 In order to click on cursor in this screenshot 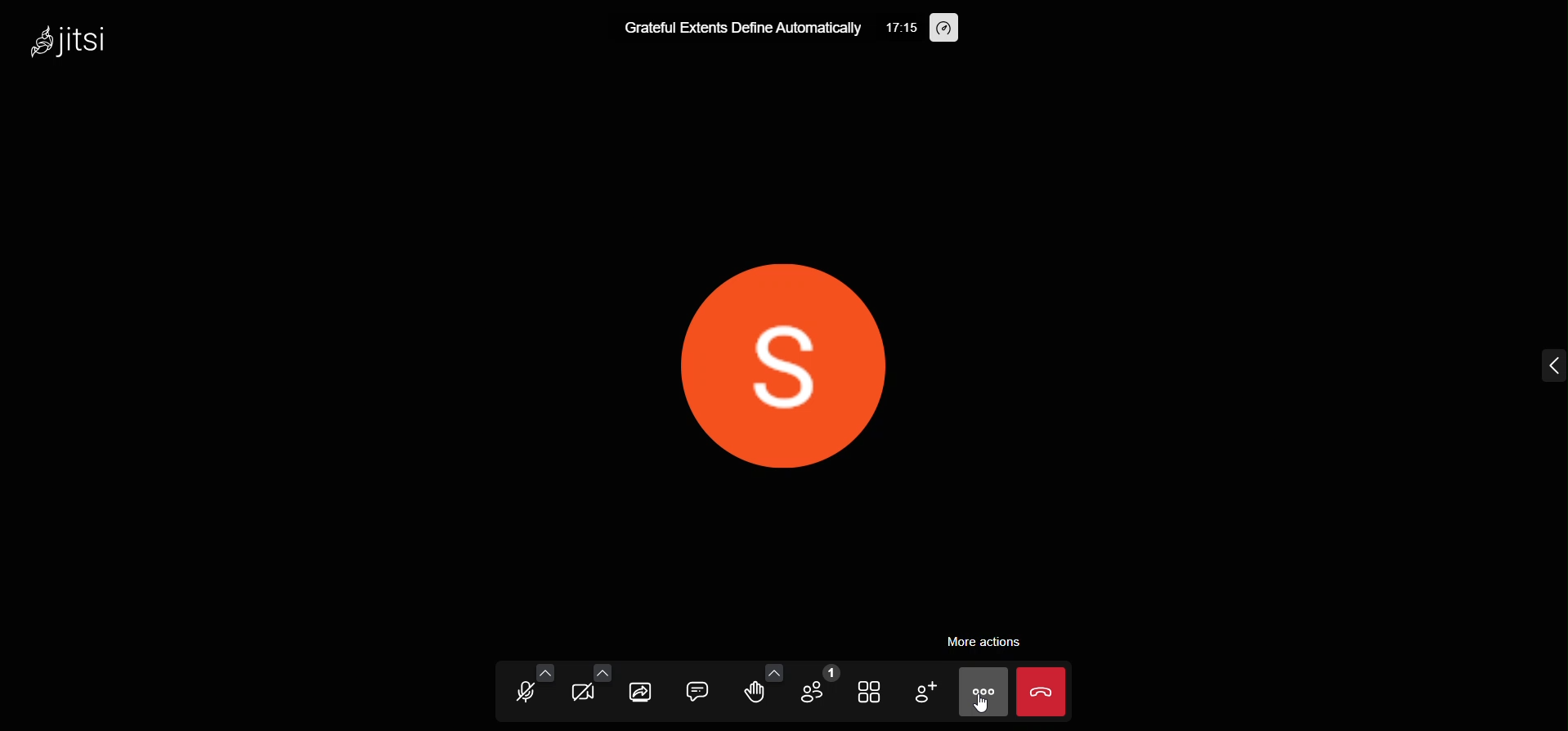, I will do `click(983, 706)`.